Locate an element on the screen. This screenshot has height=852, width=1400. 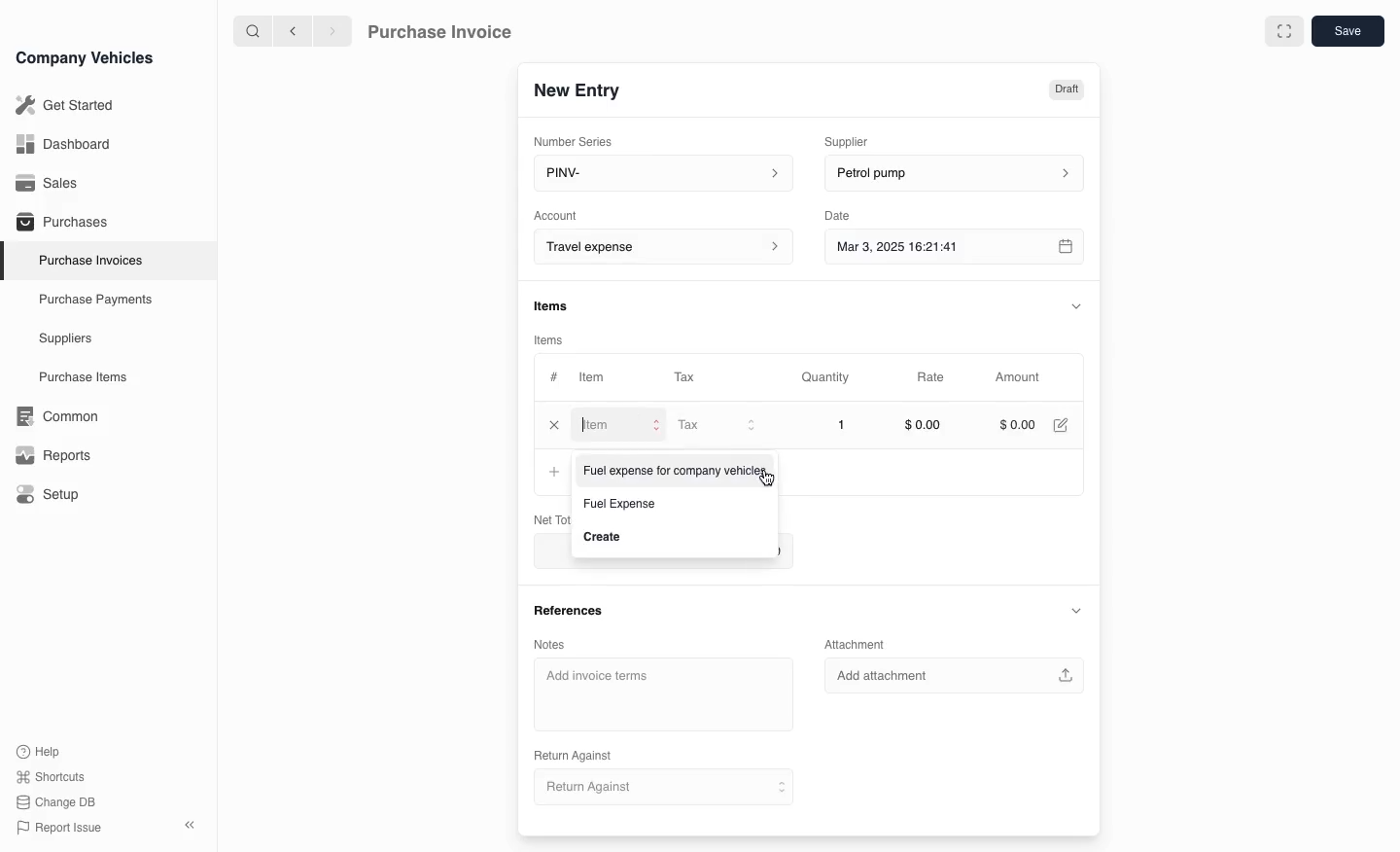
Account is located at coordinates (660, 247).